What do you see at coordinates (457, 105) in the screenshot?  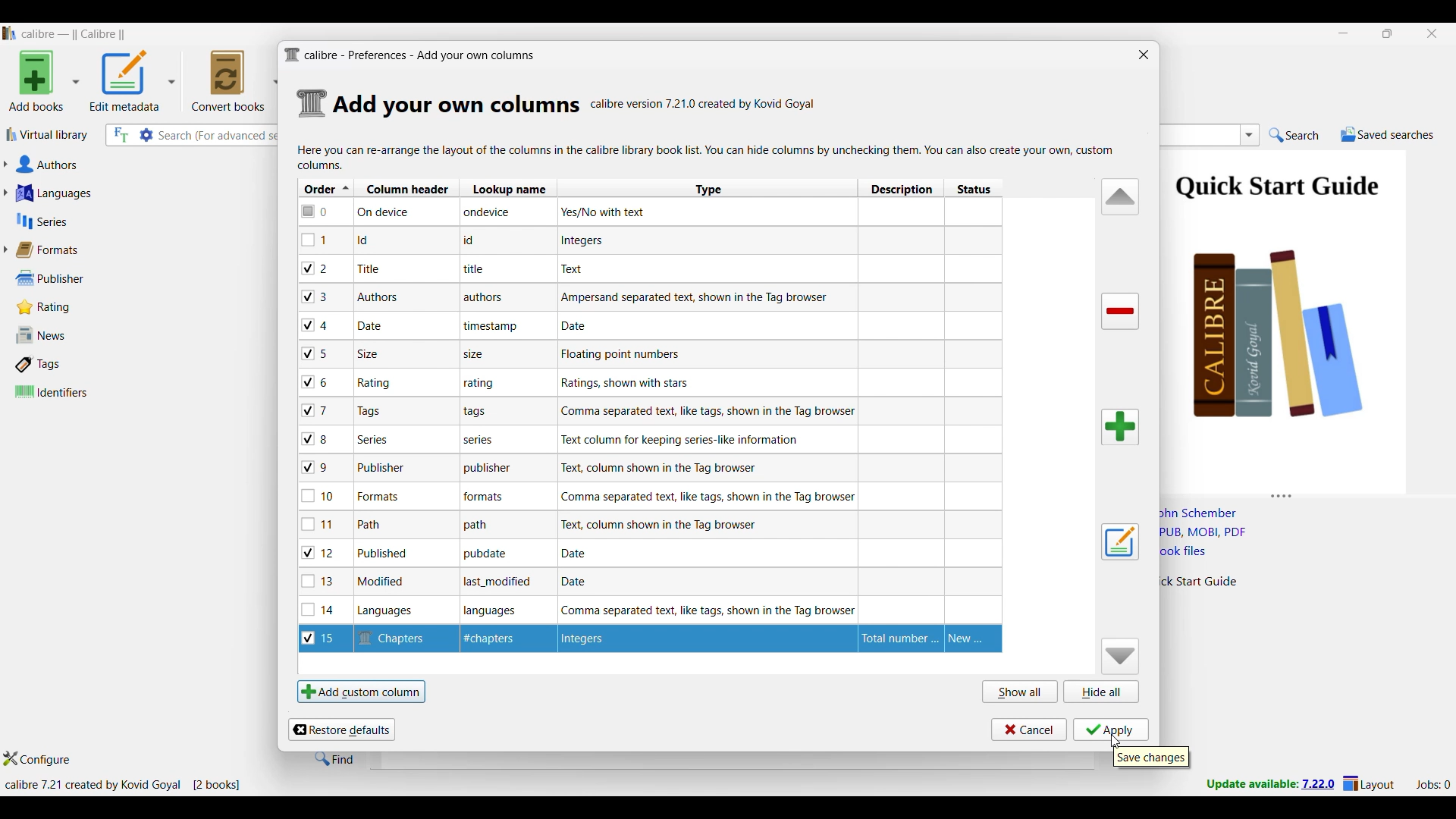 I see `Section details` at bounding box center [457, 105].